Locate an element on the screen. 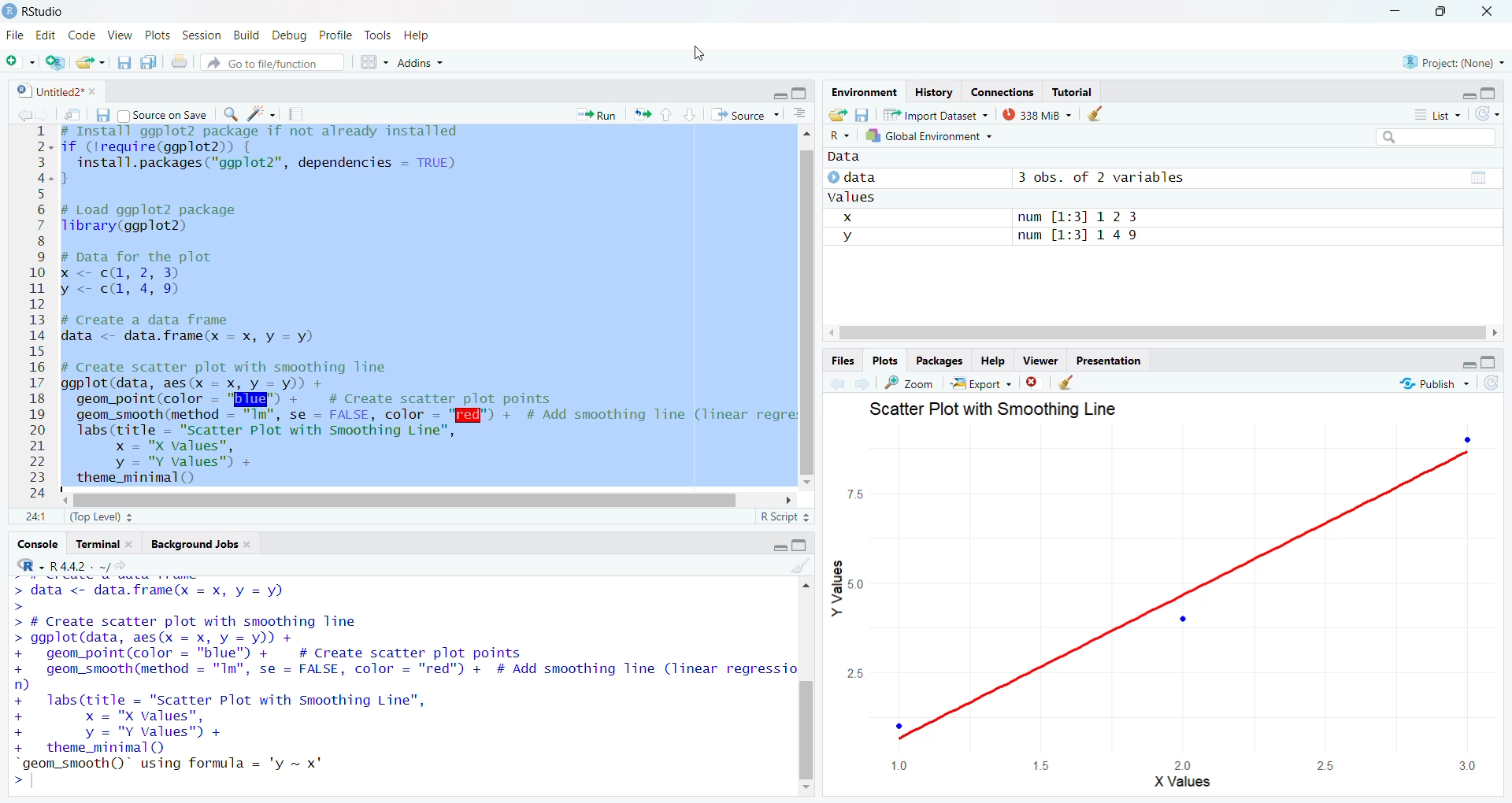 Image resolution: width=1512 pixels, height=803 pixels. go back to the next source location is located at coordinates (50, 115).